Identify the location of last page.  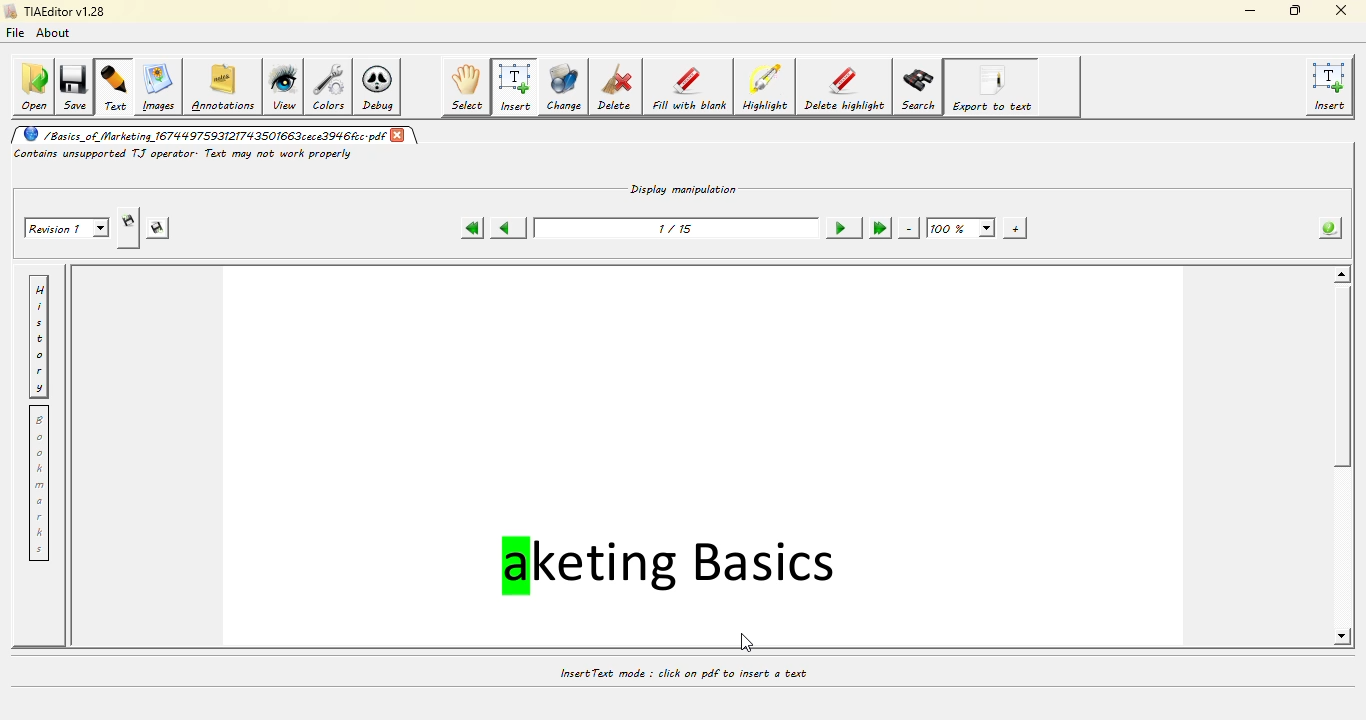
(878, 227).